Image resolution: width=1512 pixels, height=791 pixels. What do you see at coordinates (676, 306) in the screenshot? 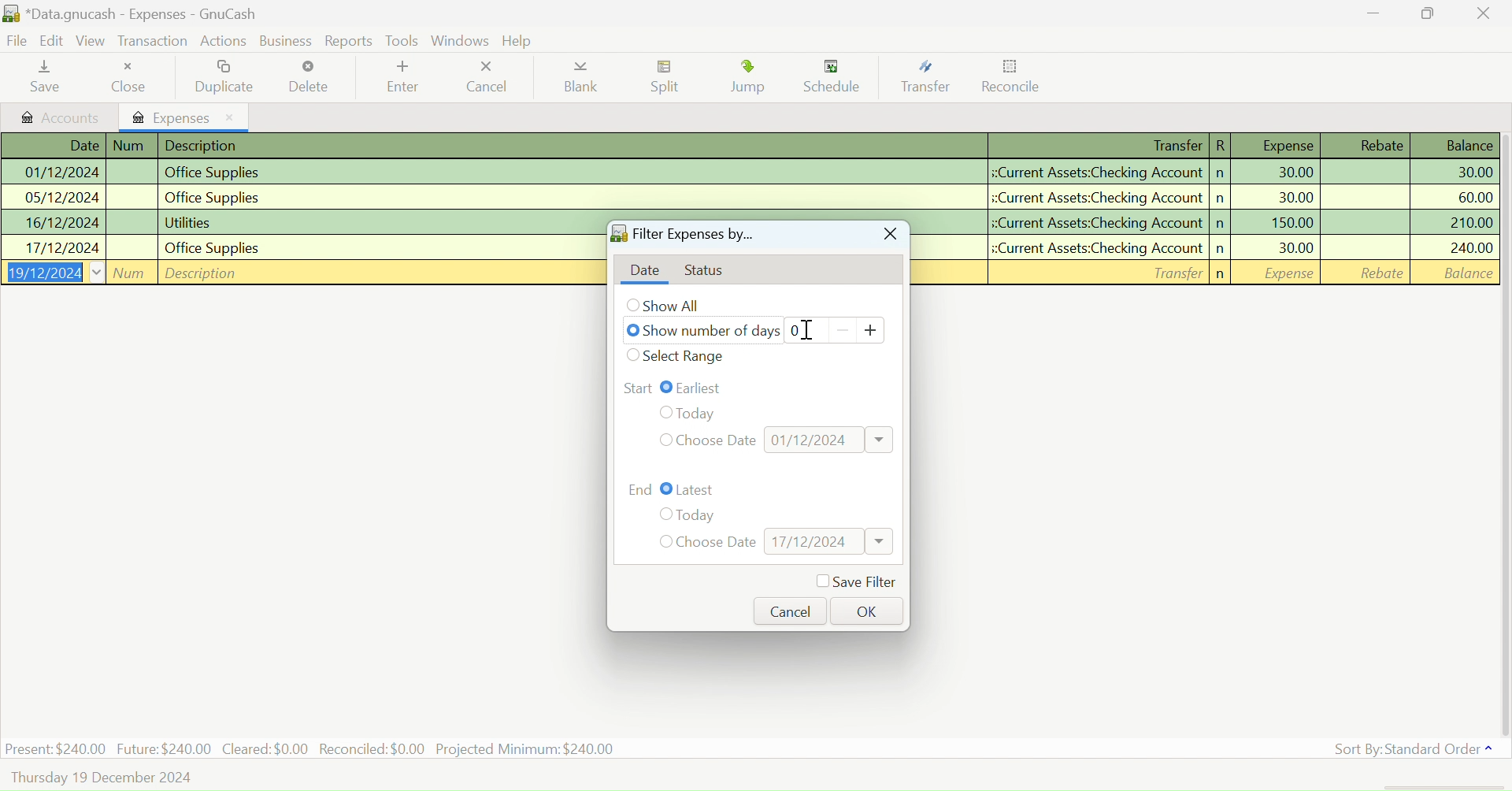
I see `Show All` at bounding box center [676, 306].